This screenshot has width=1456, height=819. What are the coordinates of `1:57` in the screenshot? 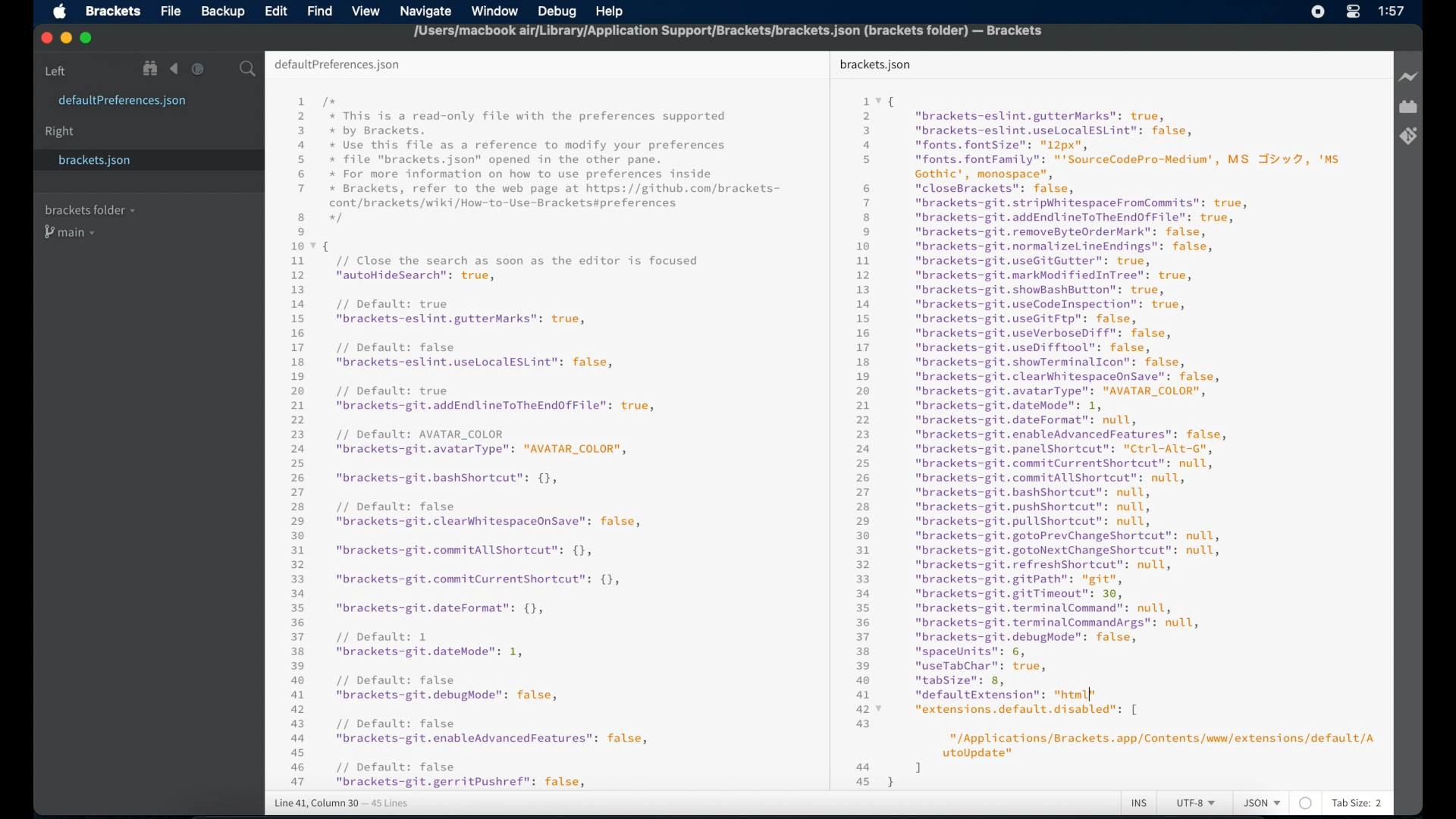 It's located at (1392, 11).